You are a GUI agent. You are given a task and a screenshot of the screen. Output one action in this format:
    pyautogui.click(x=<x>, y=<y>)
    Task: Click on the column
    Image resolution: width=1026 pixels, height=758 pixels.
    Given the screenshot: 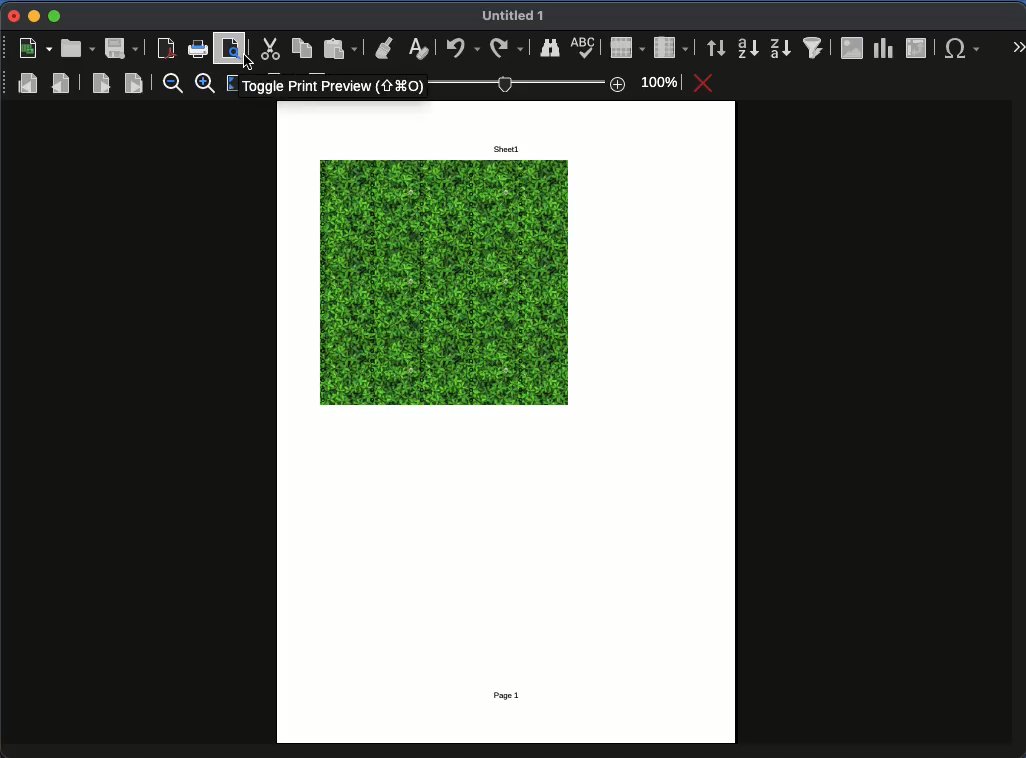 What is the action you would take?
    pyautogui.click(x=670, y=47)
    